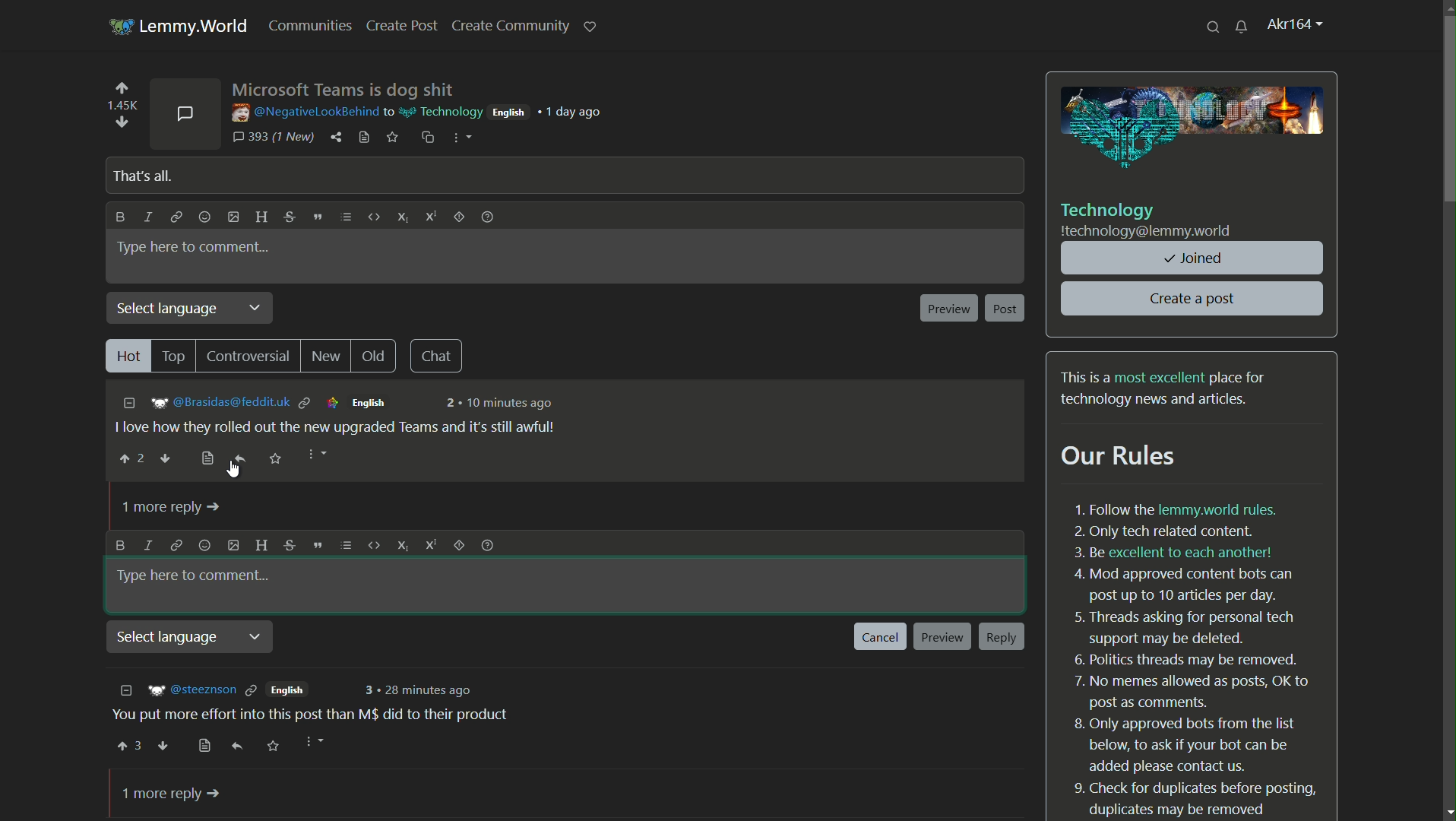 The image size is (1456, 821). I want to click on type here to comment, so click(197, 576).